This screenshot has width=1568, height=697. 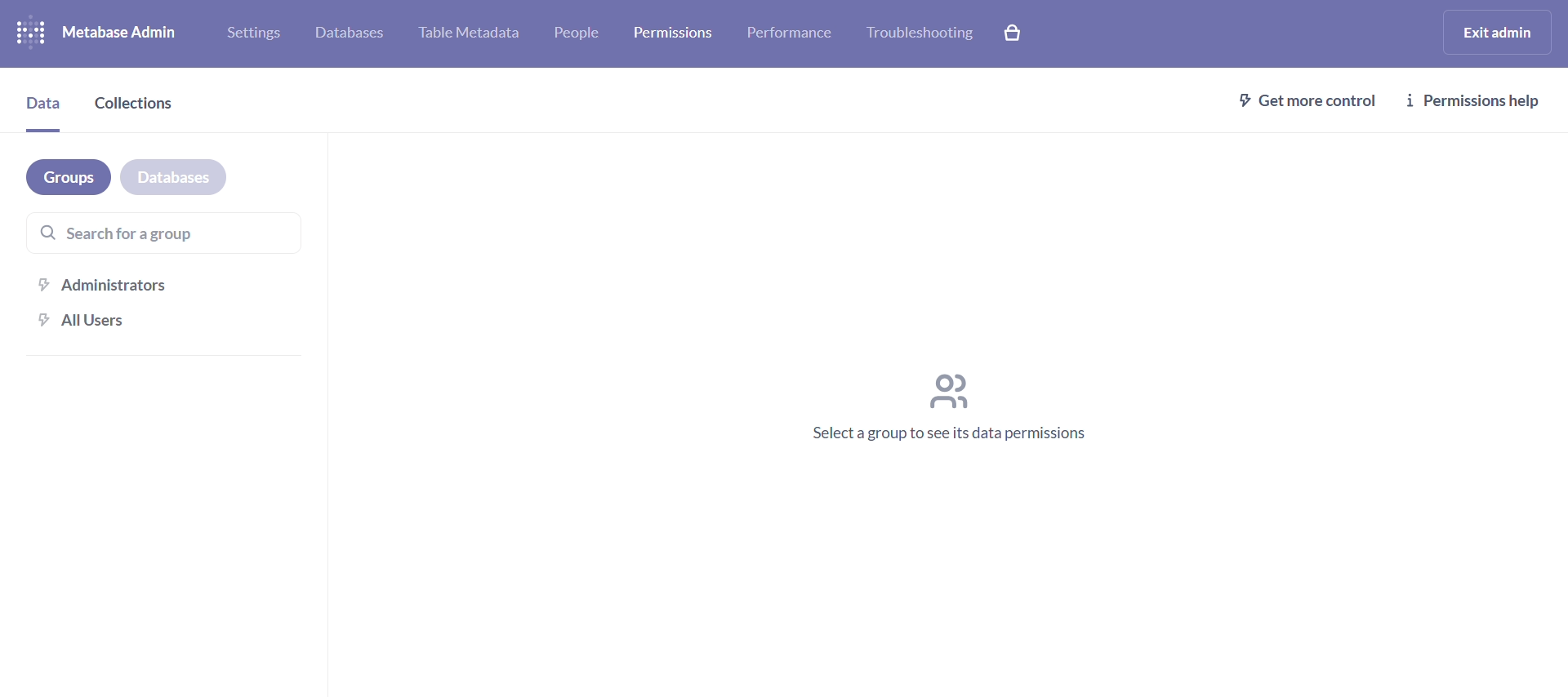 What do you see at coordinates (949, 409) in the screenshot?
I see `select a group to see its data permissions` at bounding box center [949, 409].